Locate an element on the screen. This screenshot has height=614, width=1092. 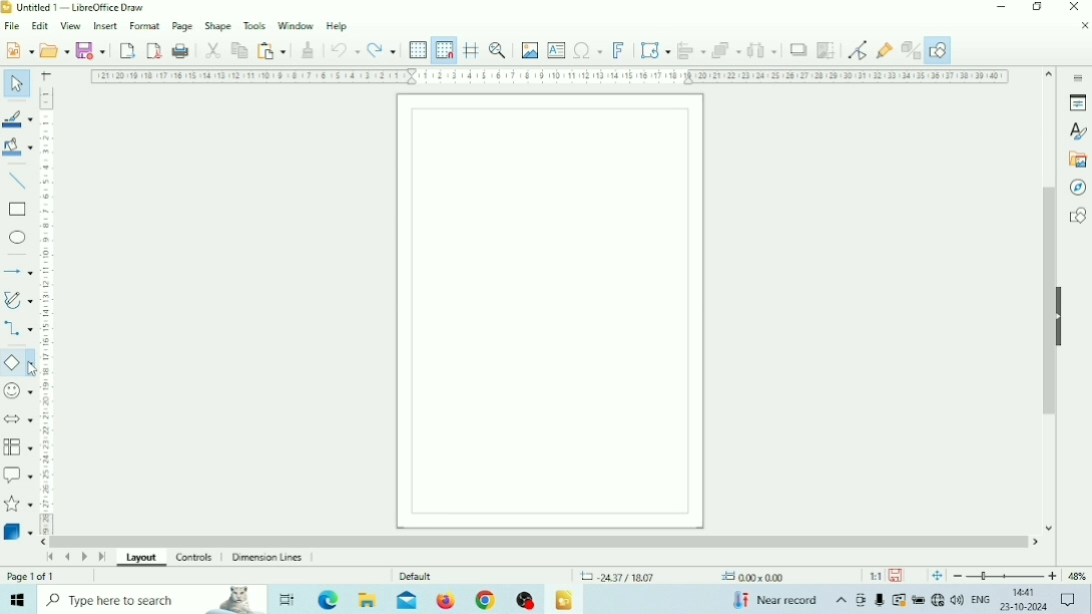
Basic Shapes is located at coordinates (18, 363).